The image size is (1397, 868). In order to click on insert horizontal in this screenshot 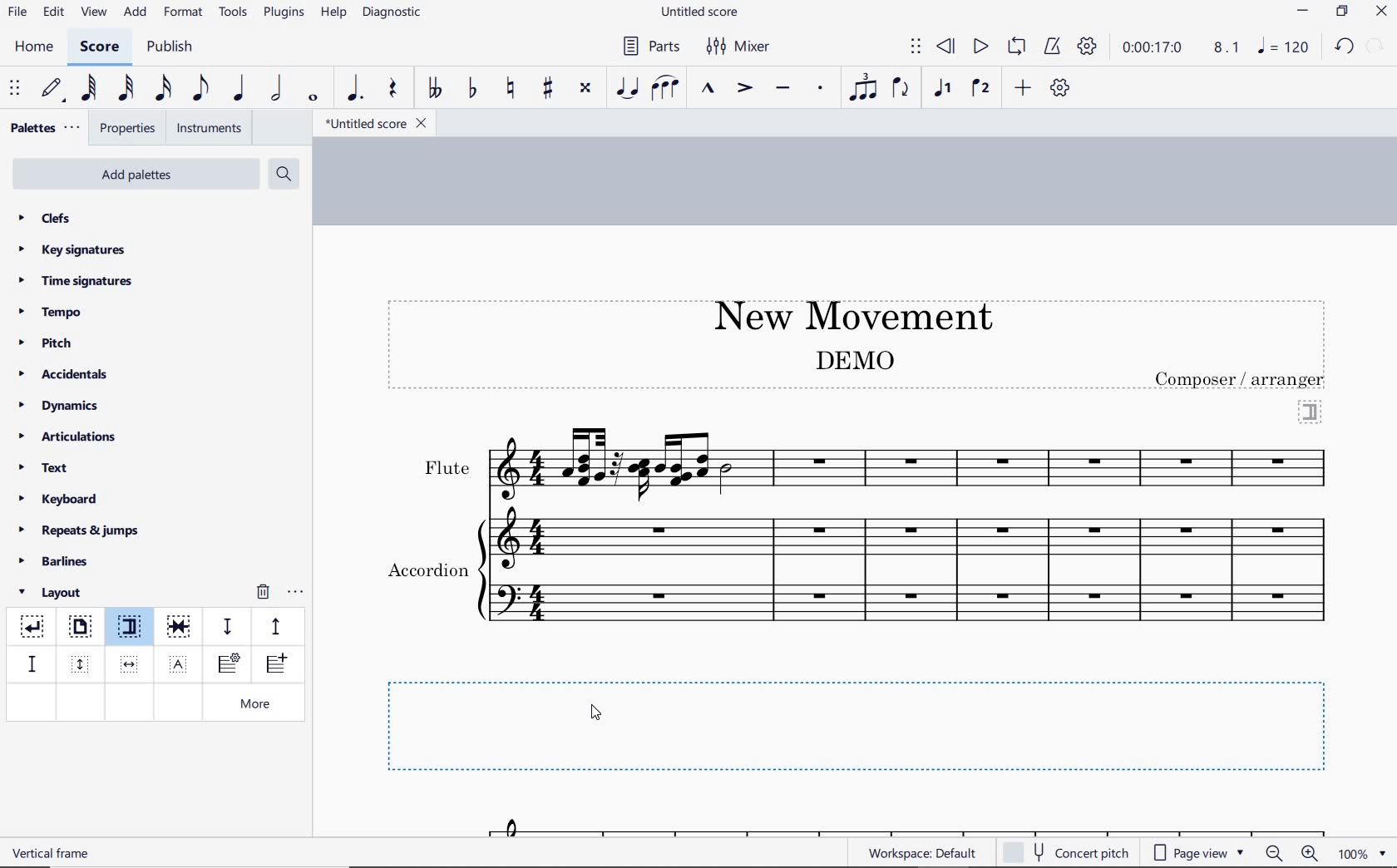, I will do `click(130, 664)`.